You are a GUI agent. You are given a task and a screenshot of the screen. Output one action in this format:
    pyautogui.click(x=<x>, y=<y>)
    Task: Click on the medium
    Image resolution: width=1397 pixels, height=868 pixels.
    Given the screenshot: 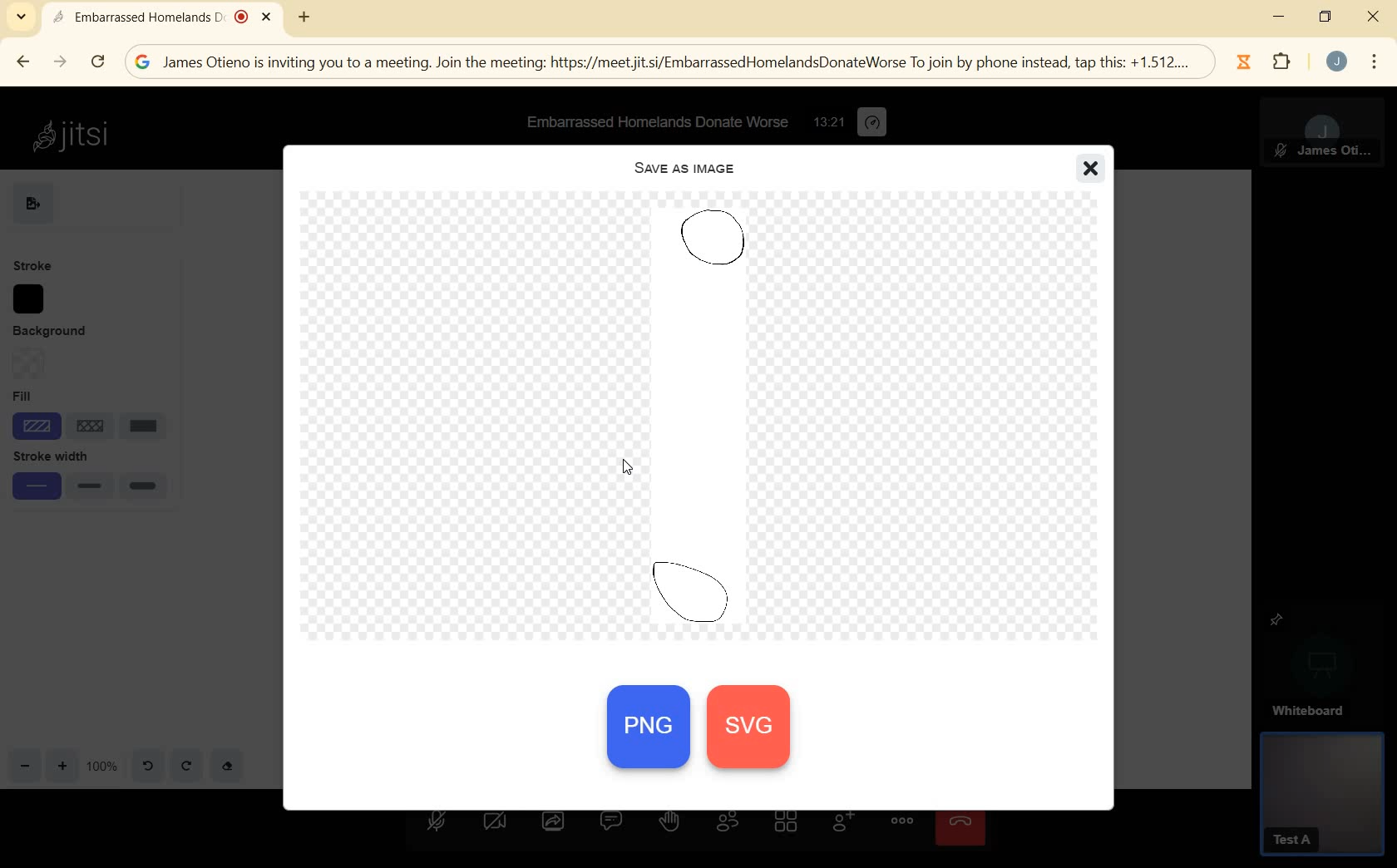 What is the action you would take?
    pyautogui.click(x=89, y=489)
    